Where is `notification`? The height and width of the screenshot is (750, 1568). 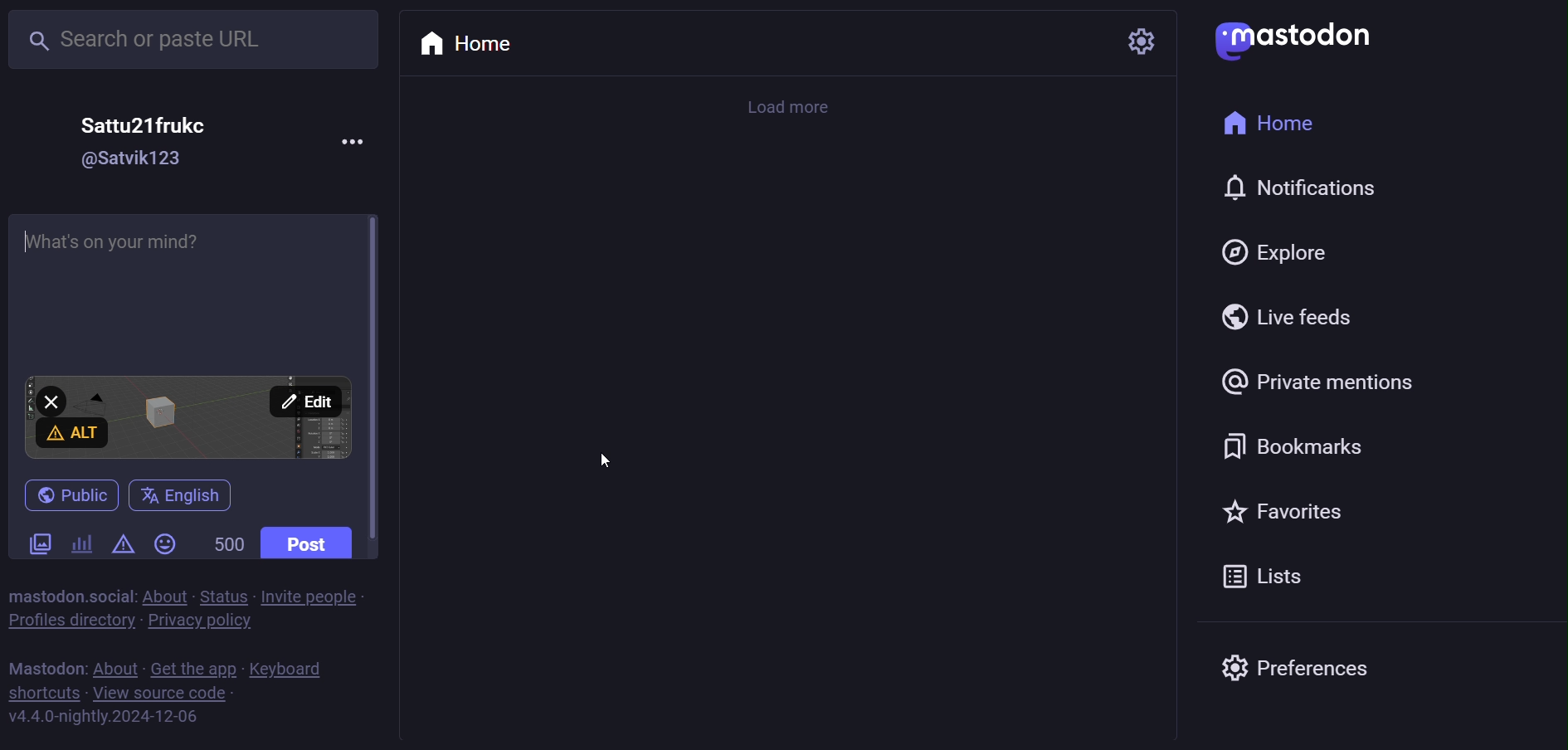
notification is located at coordinates (1299, 190).